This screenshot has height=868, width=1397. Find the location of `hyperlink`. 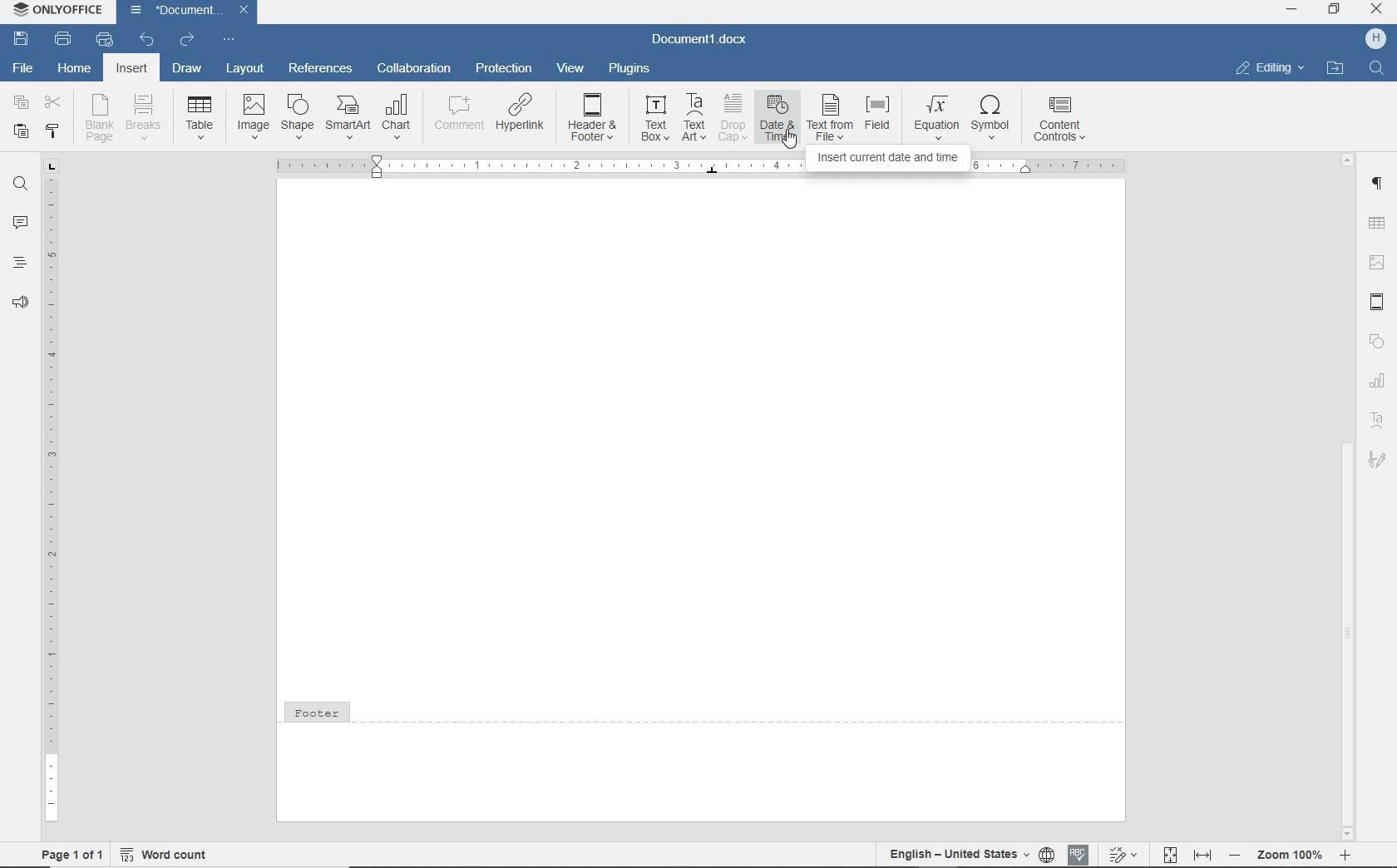

hyperlink is located at coordinates (519, 111).